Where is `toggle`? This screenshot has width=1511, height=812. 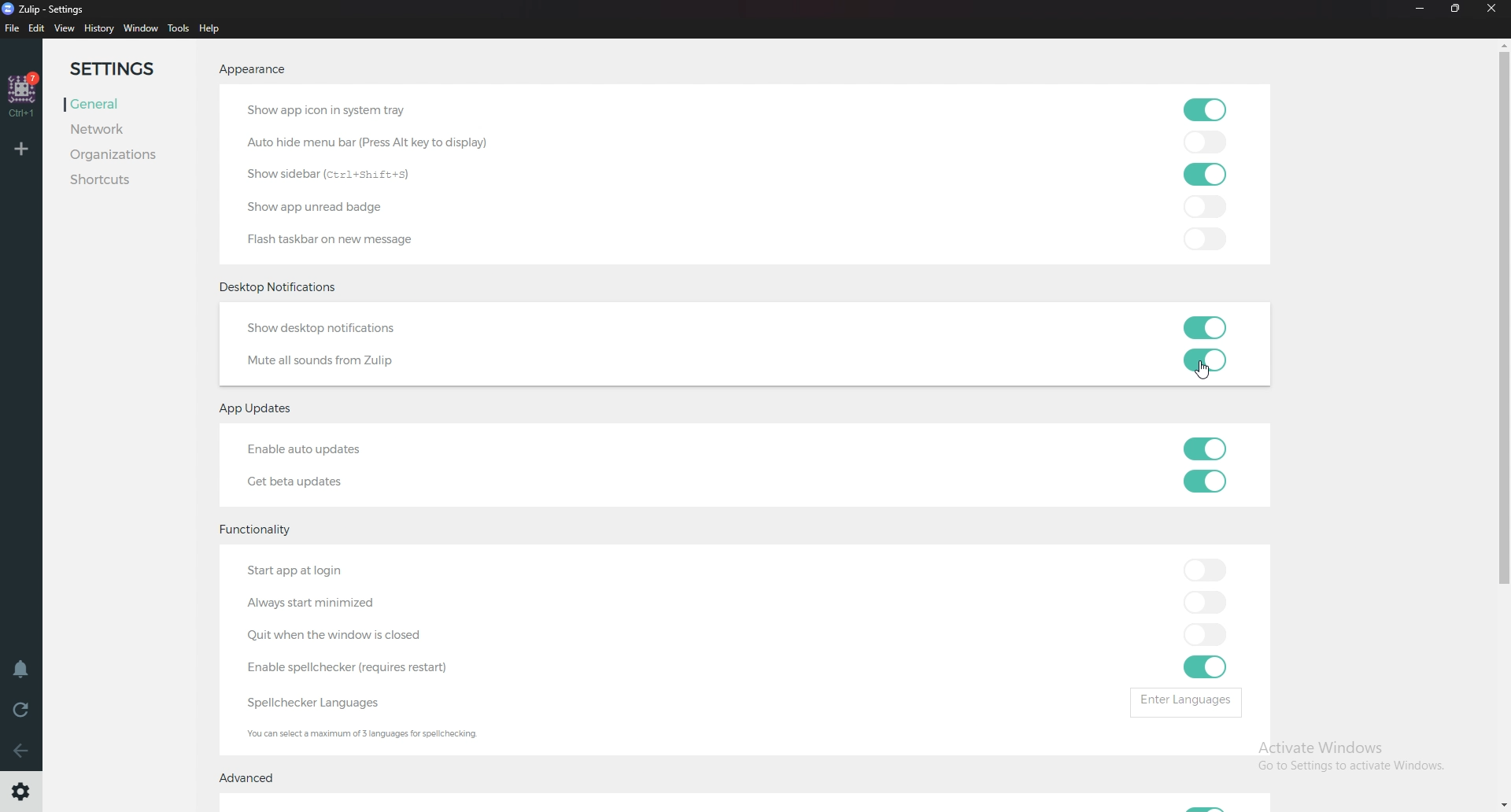
toggle is located at coordinates (1207, 604).